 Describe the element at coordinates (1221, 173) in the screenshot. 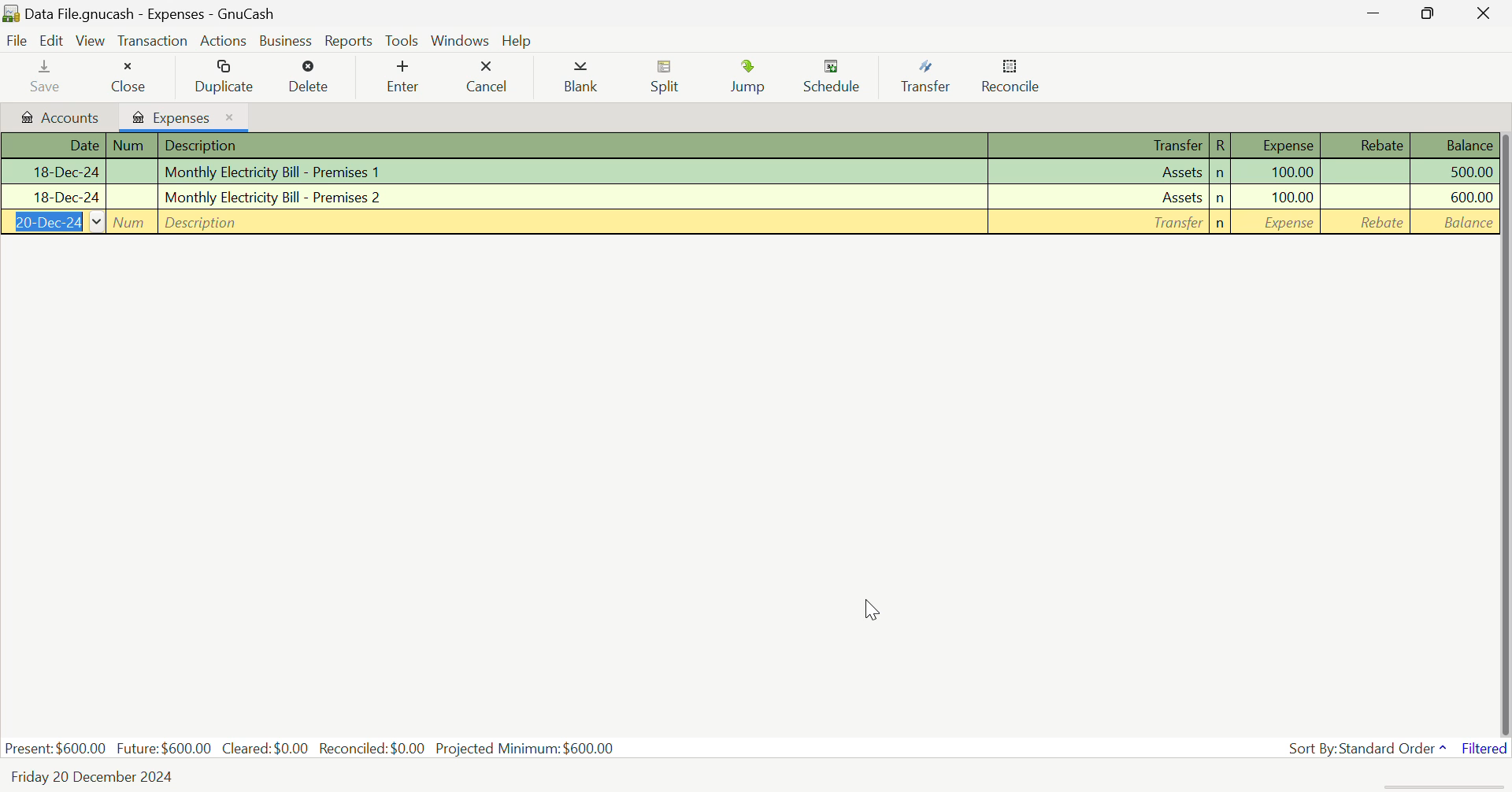

I see `n` at that location.